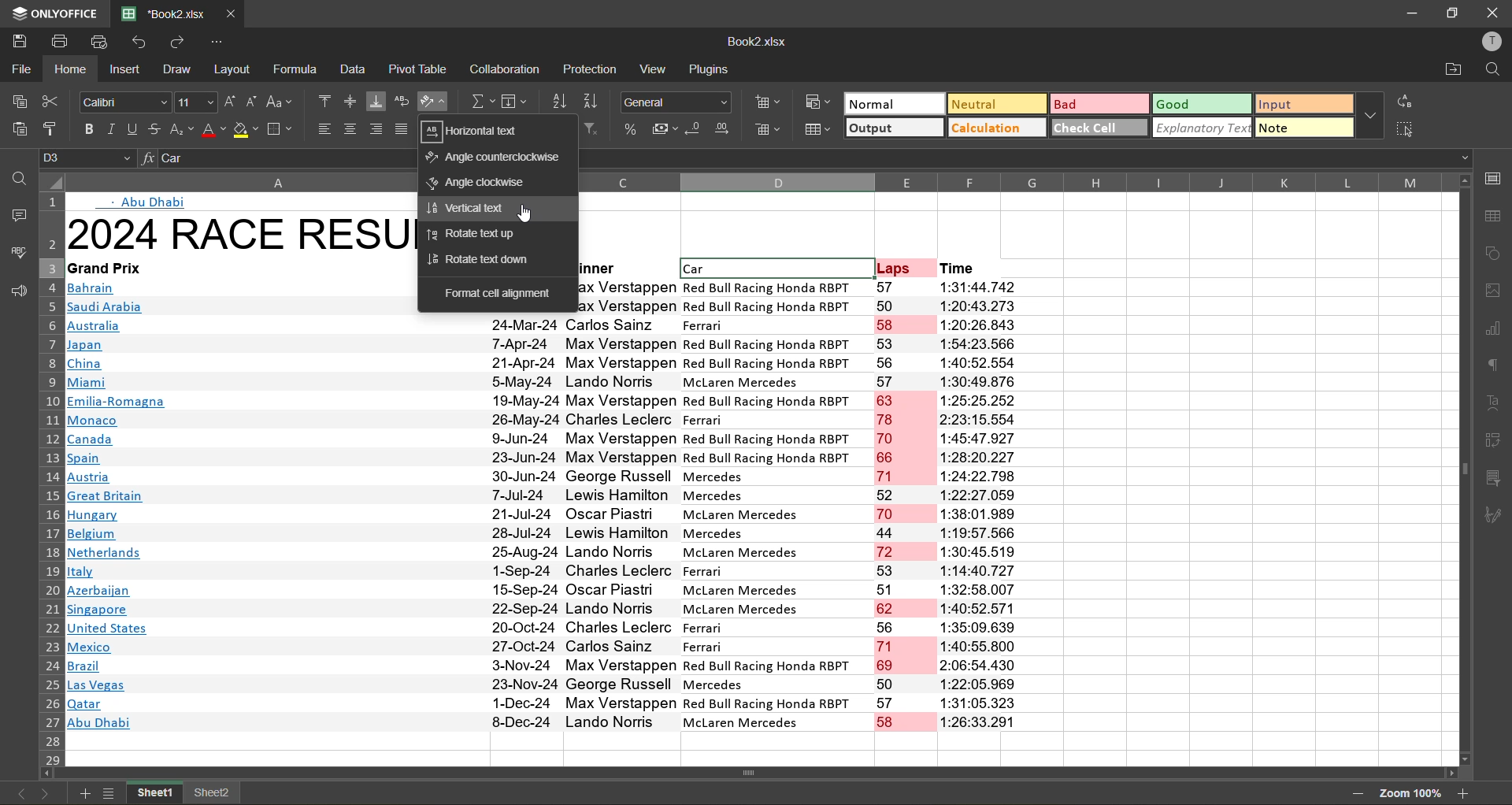  I want to click on text, so click(1494, 402).